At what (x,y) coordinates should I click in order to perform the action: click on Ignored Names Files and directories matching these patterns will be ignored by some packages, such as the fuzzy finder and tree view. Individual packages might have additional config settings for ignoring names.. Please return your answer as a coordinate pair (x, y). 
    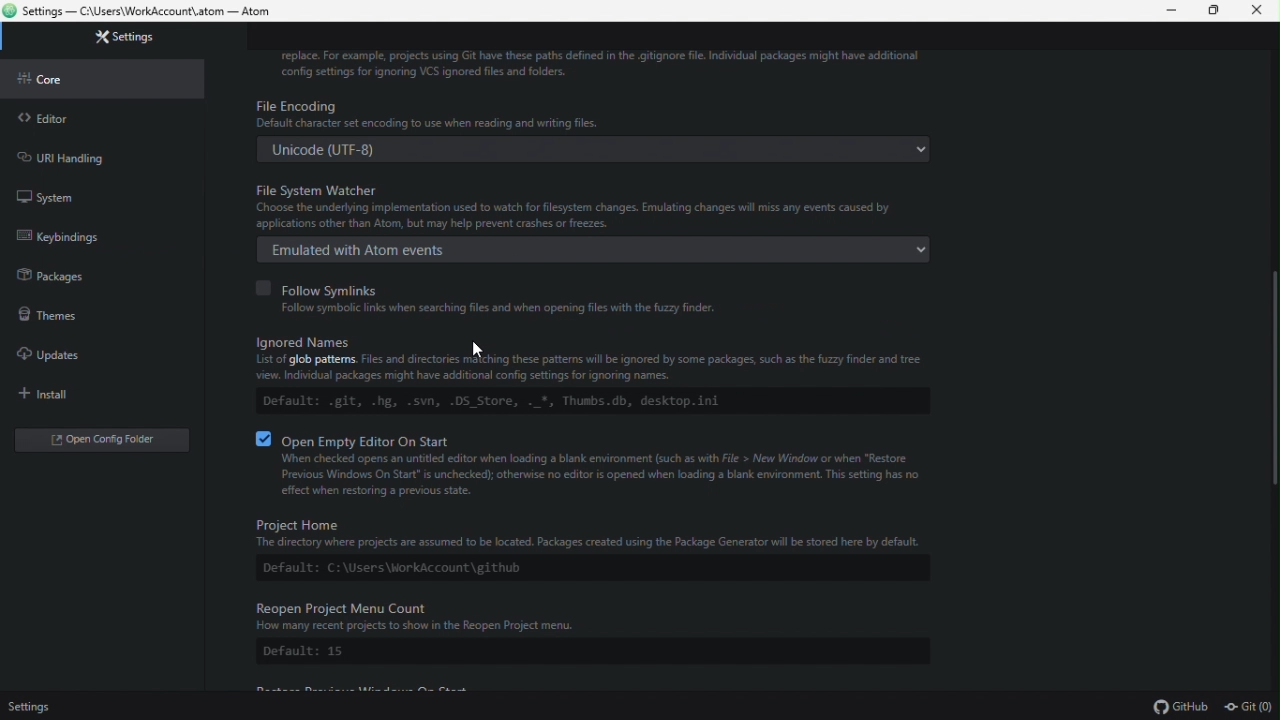
    Looking at the image, I should click on (596, 357).